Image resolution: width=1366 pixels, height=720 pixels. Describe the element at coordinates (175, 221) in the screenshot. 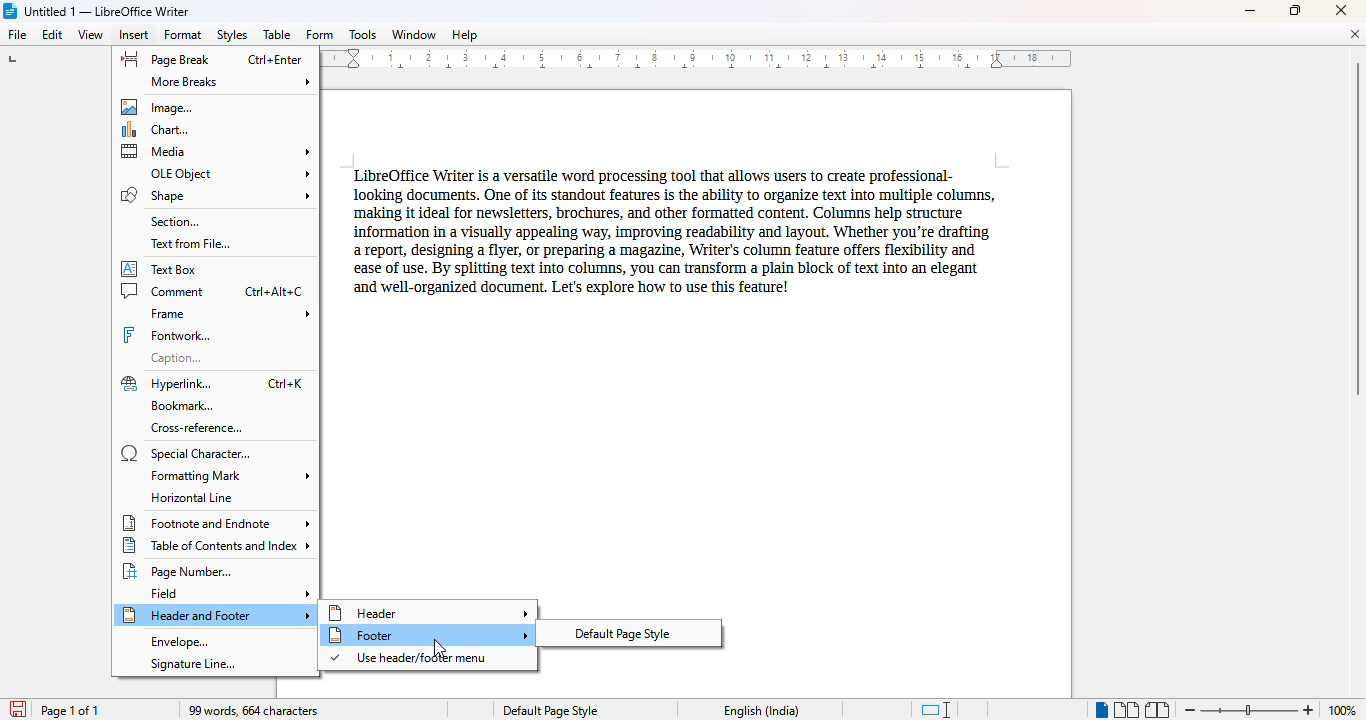

I see `section` at that location.